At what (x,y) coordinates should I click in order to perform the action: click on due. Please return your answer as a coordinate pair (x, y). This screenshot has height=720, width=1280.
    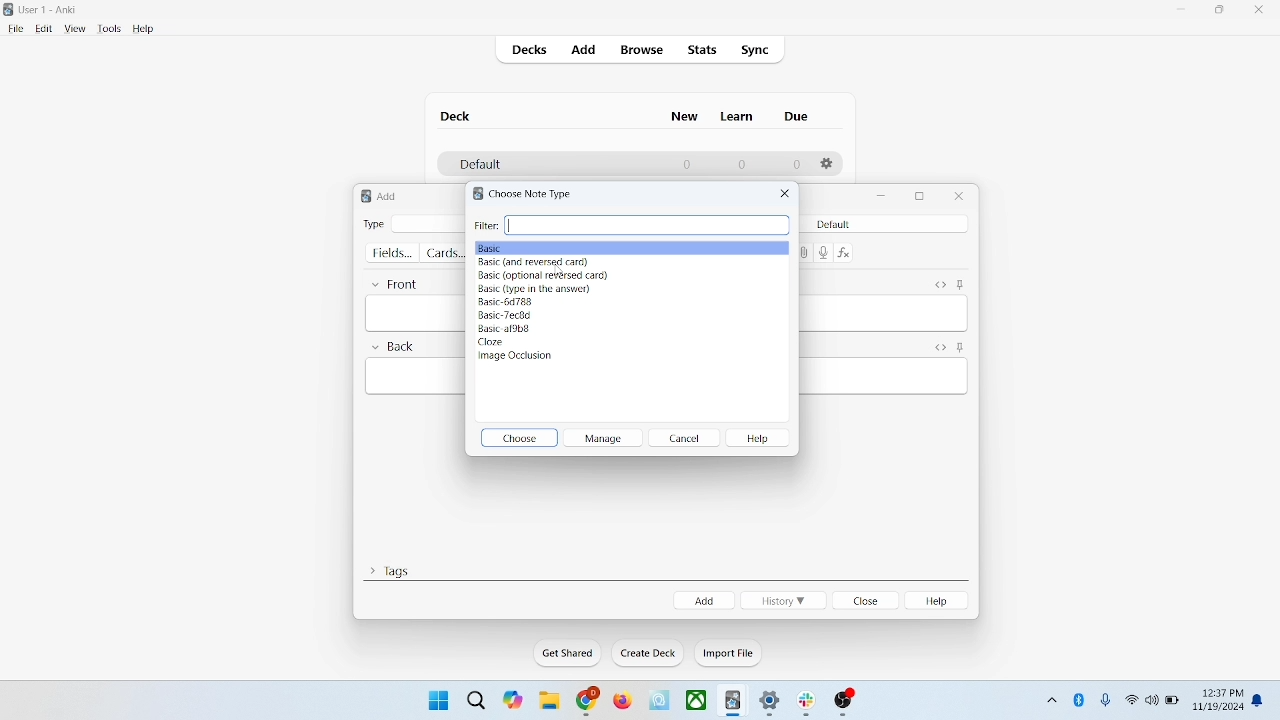
    Looking at the image, I should click on (798, 117).